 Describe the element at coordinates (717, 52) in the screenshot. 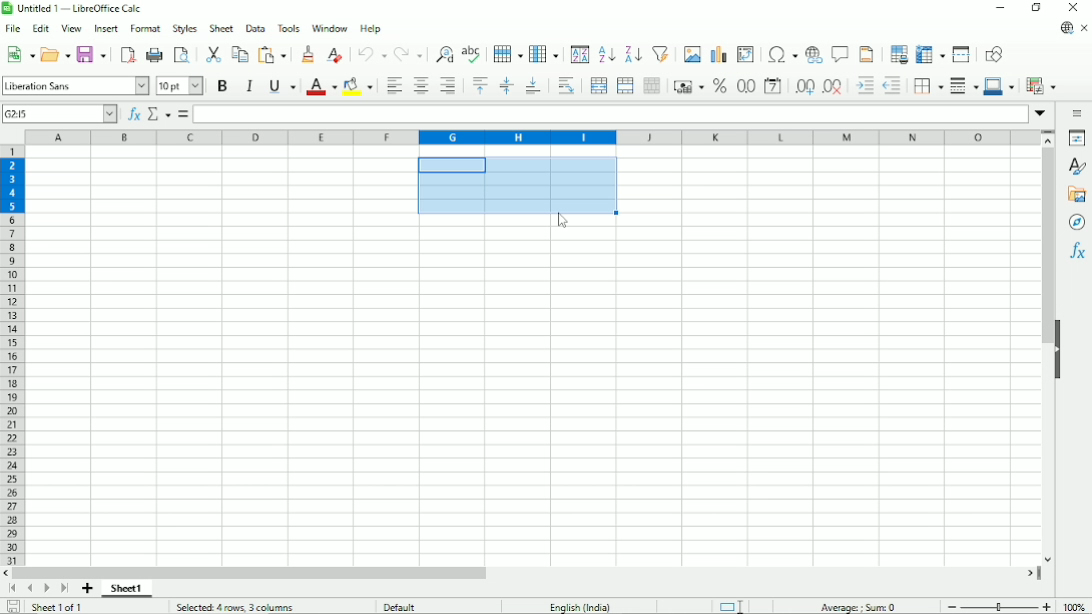

I see `Insert chart` at that location.